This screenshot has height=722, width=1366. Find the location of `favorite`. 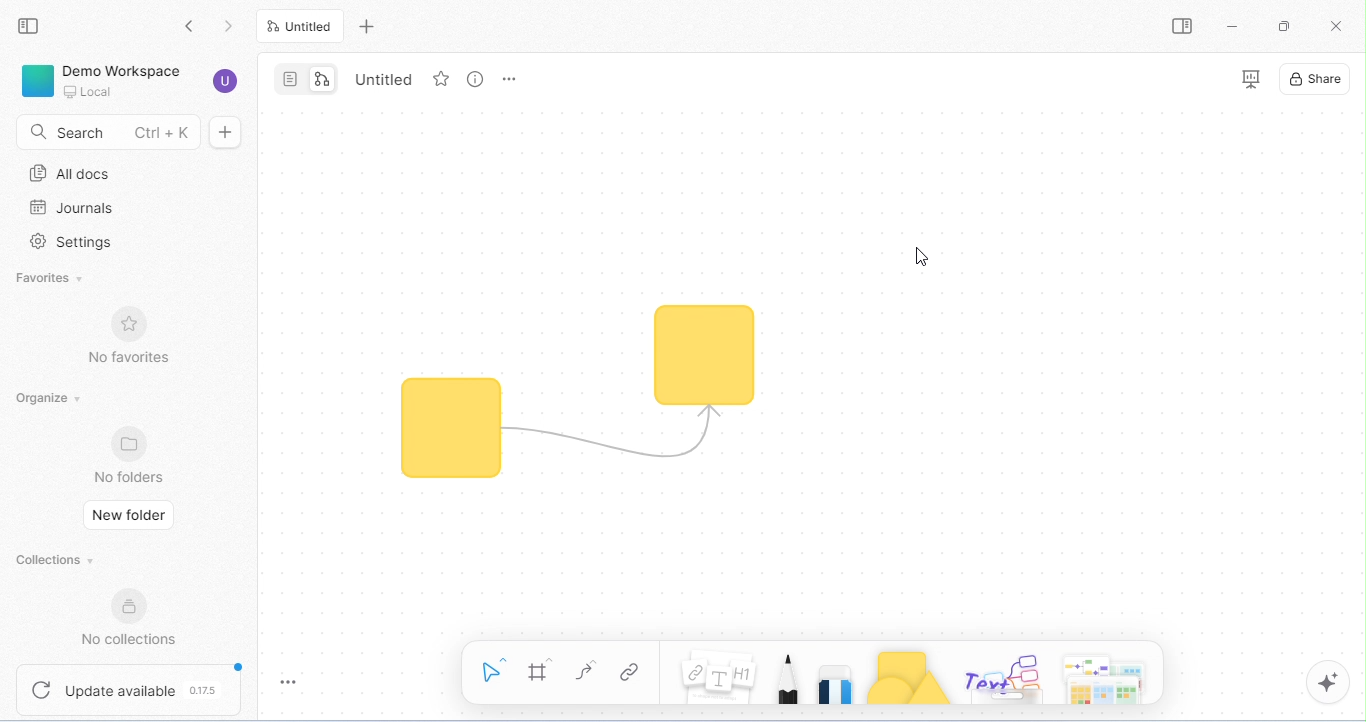

favorite is located at coordinates (441, 79).